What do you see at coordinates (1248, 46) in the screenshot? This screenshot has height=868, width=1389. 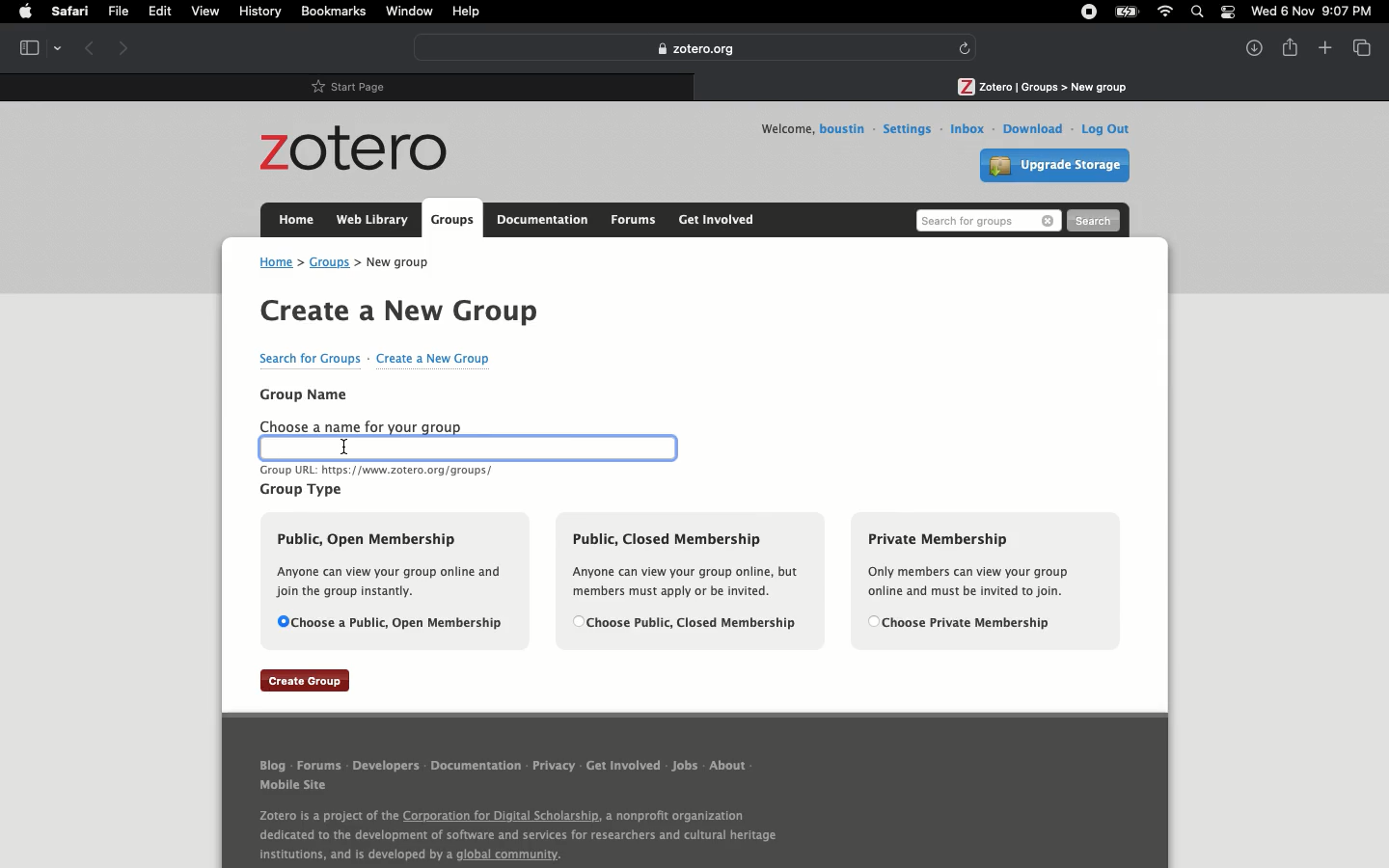 I see `Downlaods` at bounding box center [1248, 46].